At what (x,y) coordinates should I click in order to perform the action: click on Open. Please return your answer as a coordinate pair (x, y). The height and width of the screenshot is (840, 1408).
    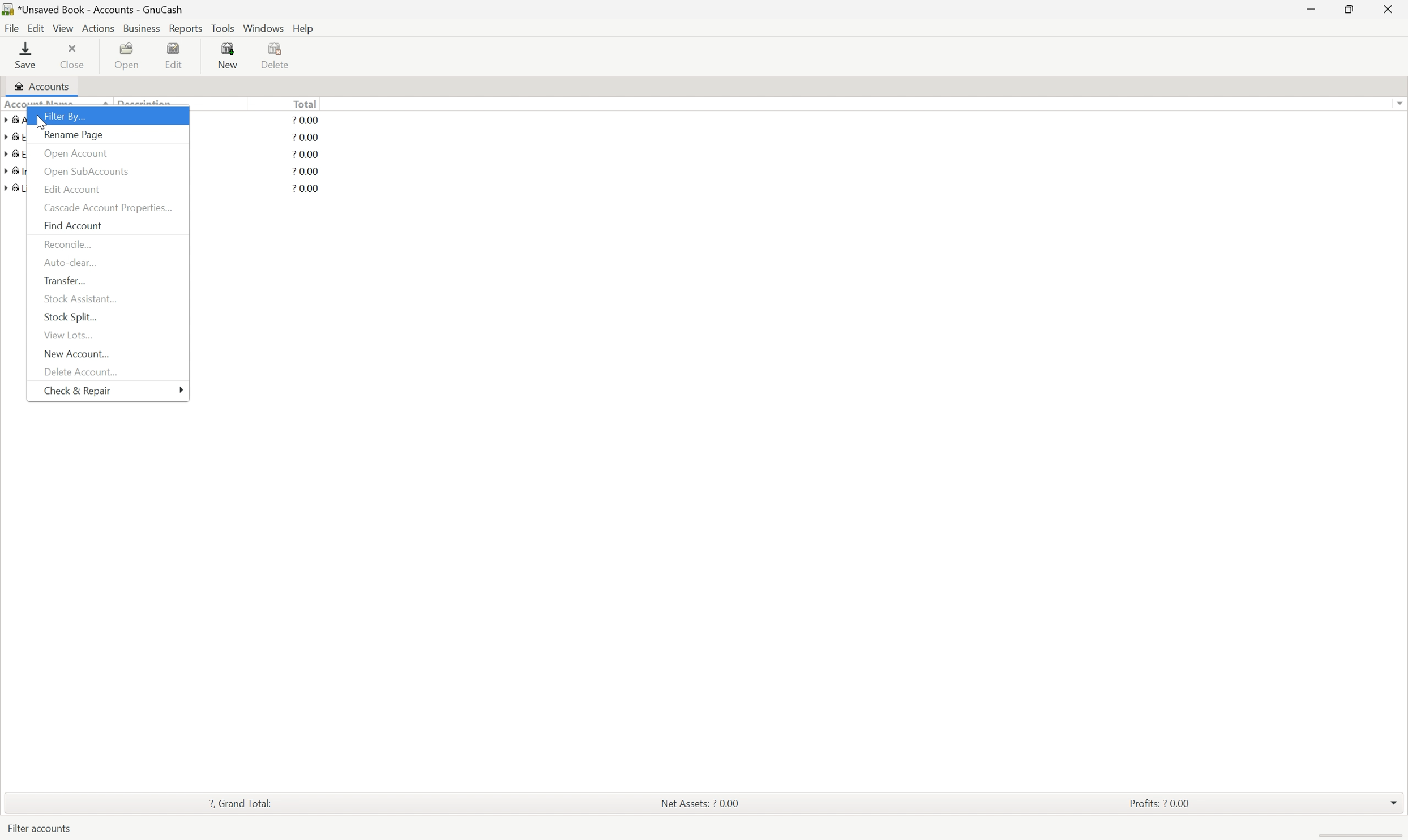
    Looking at the image, I should click on (131, 53).